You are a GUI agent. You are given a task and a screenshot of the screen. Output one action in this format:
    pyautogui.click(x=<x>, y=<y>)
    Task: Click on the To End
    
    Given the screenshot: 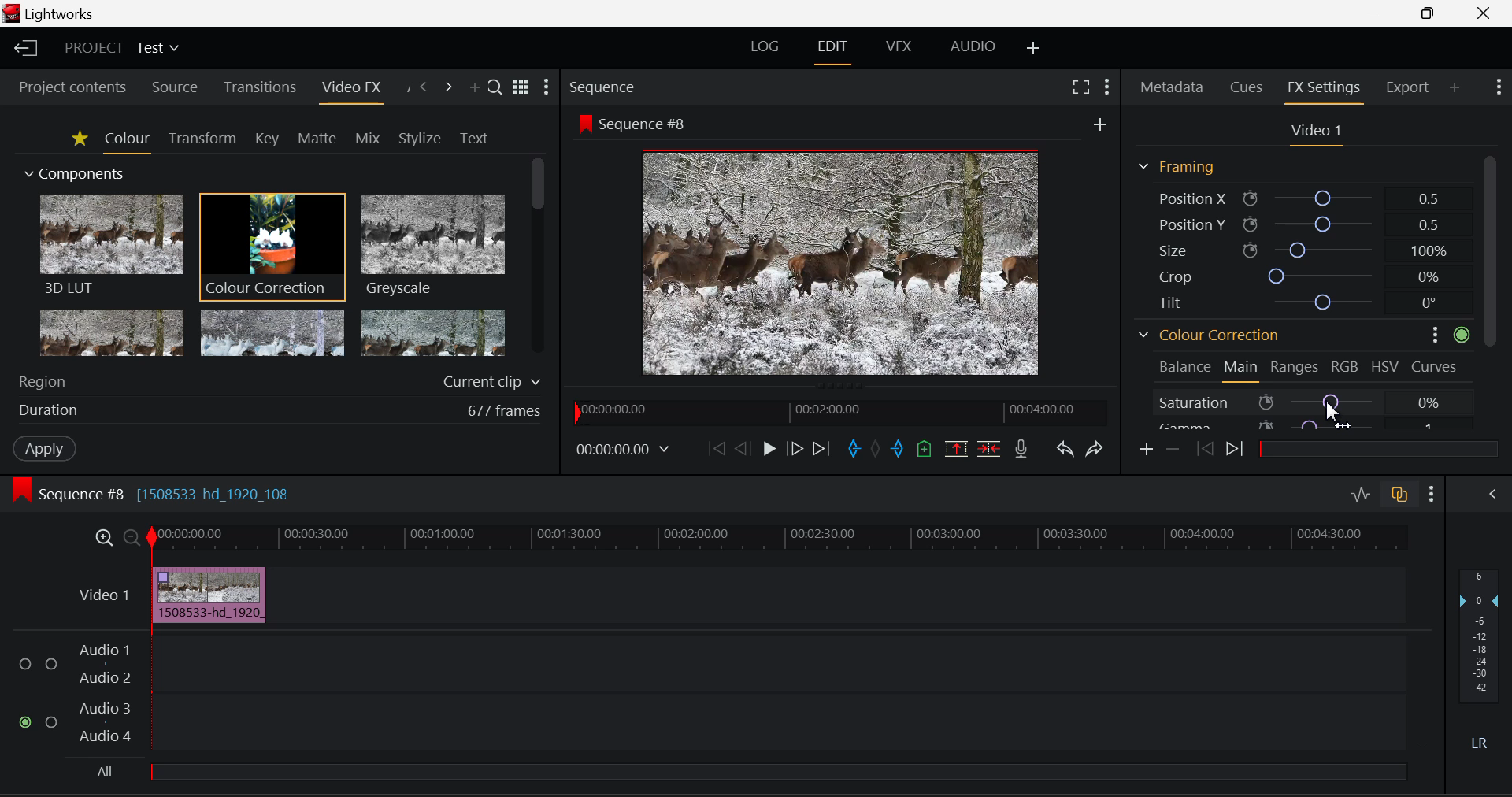 What is the action you would take?
    pyautogui.click(x=821, y=450)
    